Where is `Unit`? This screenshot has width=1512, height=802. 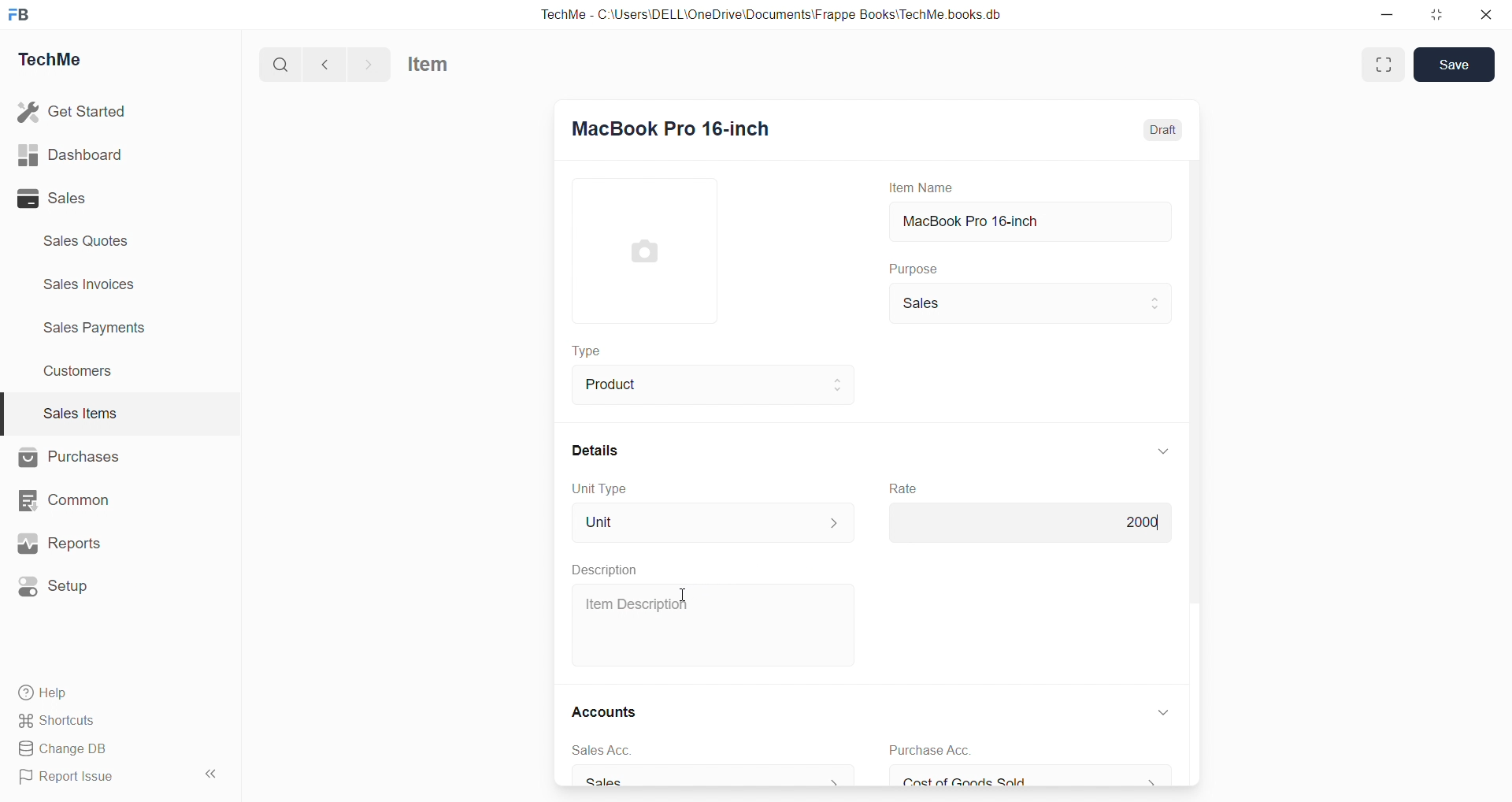
Unit is located at coordinates (713, 522).